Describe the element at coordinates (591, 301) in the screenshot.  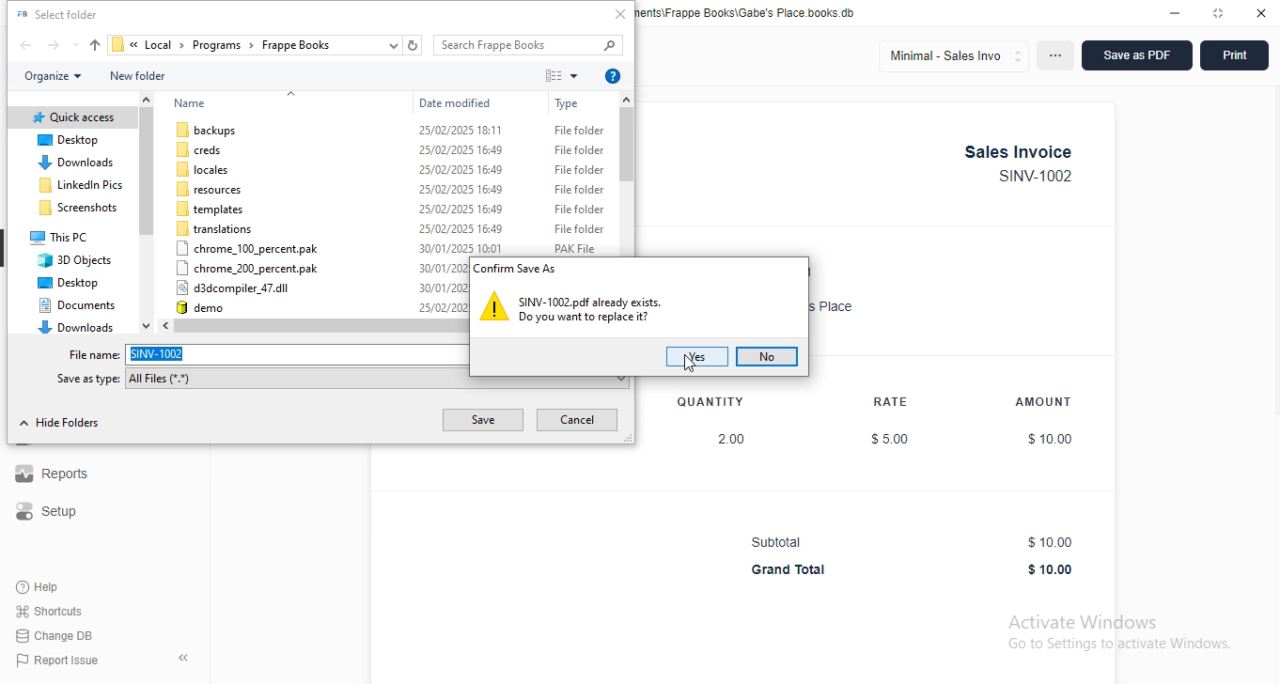
I see `SINV-1002.pdf already exists.` at that location.